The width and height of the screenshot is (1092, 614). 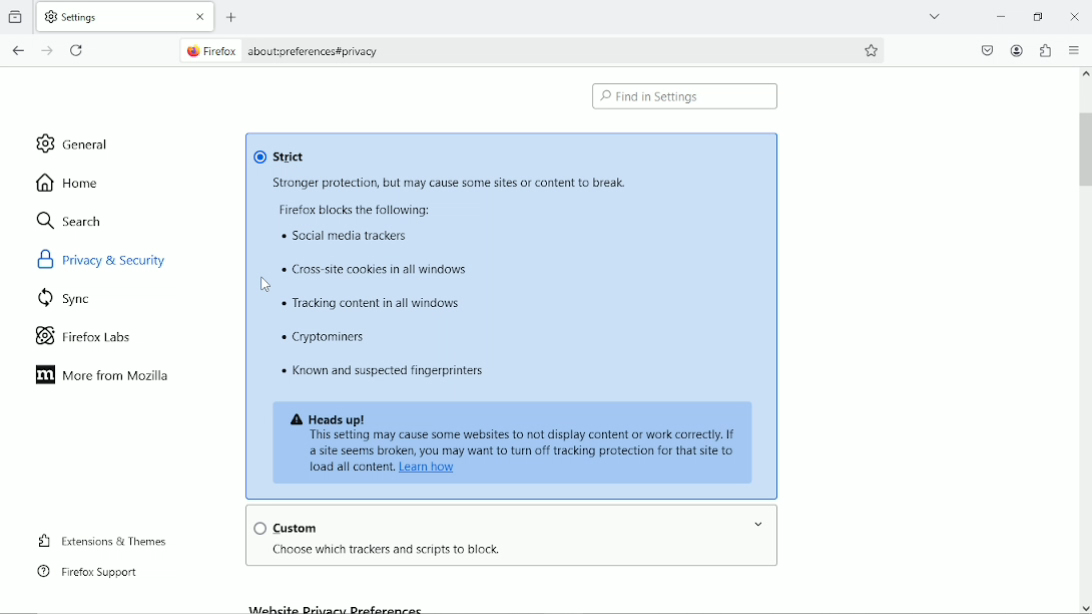 What do you see at coordinates (1002, 15) in the screenshot?
I see `minimize` at bounding box center [1002, 15].